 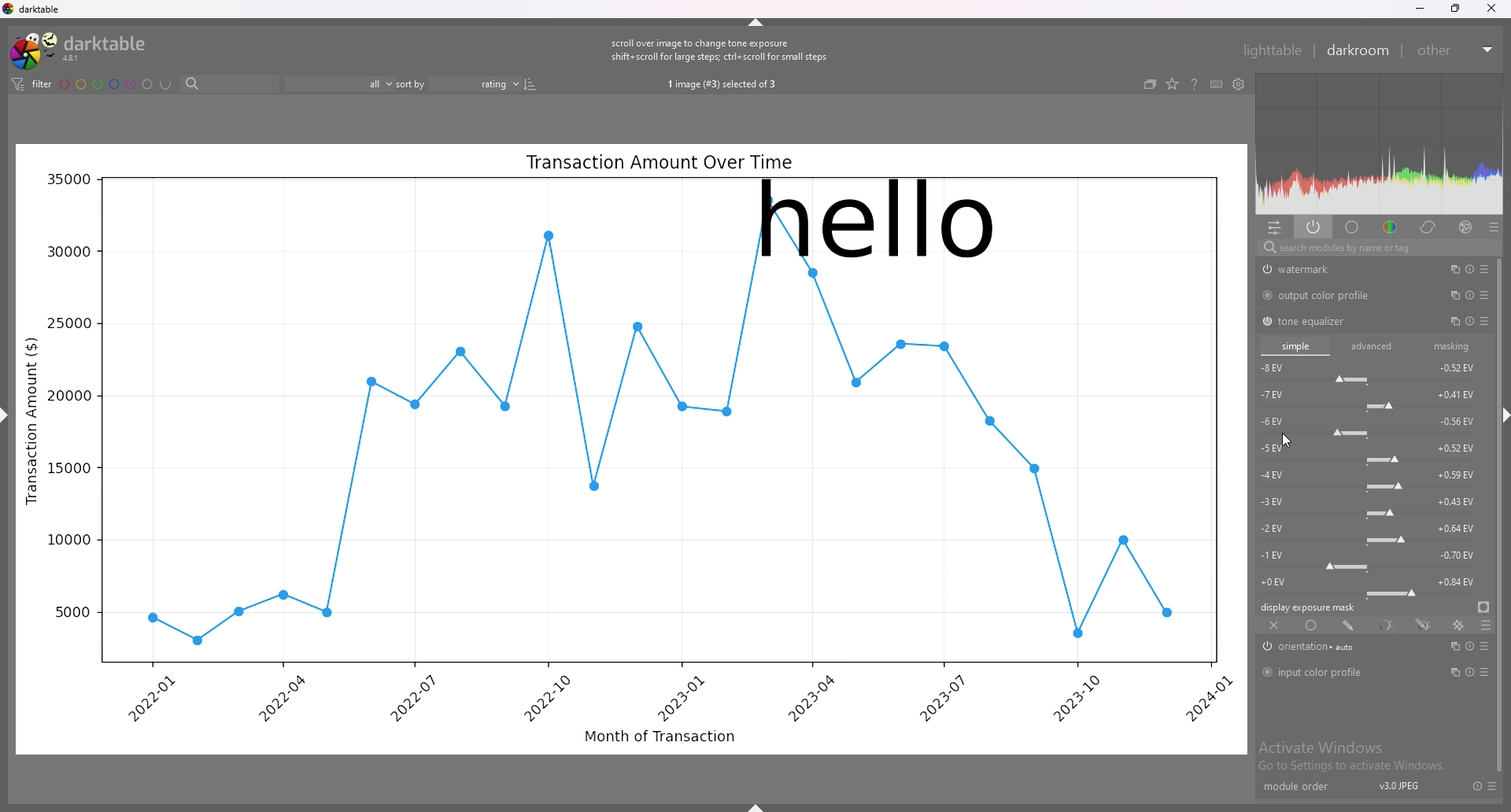 What do you see at coordinates (71, 611) in the screenshot?
I see `5000` at bounding box center [71, 611].